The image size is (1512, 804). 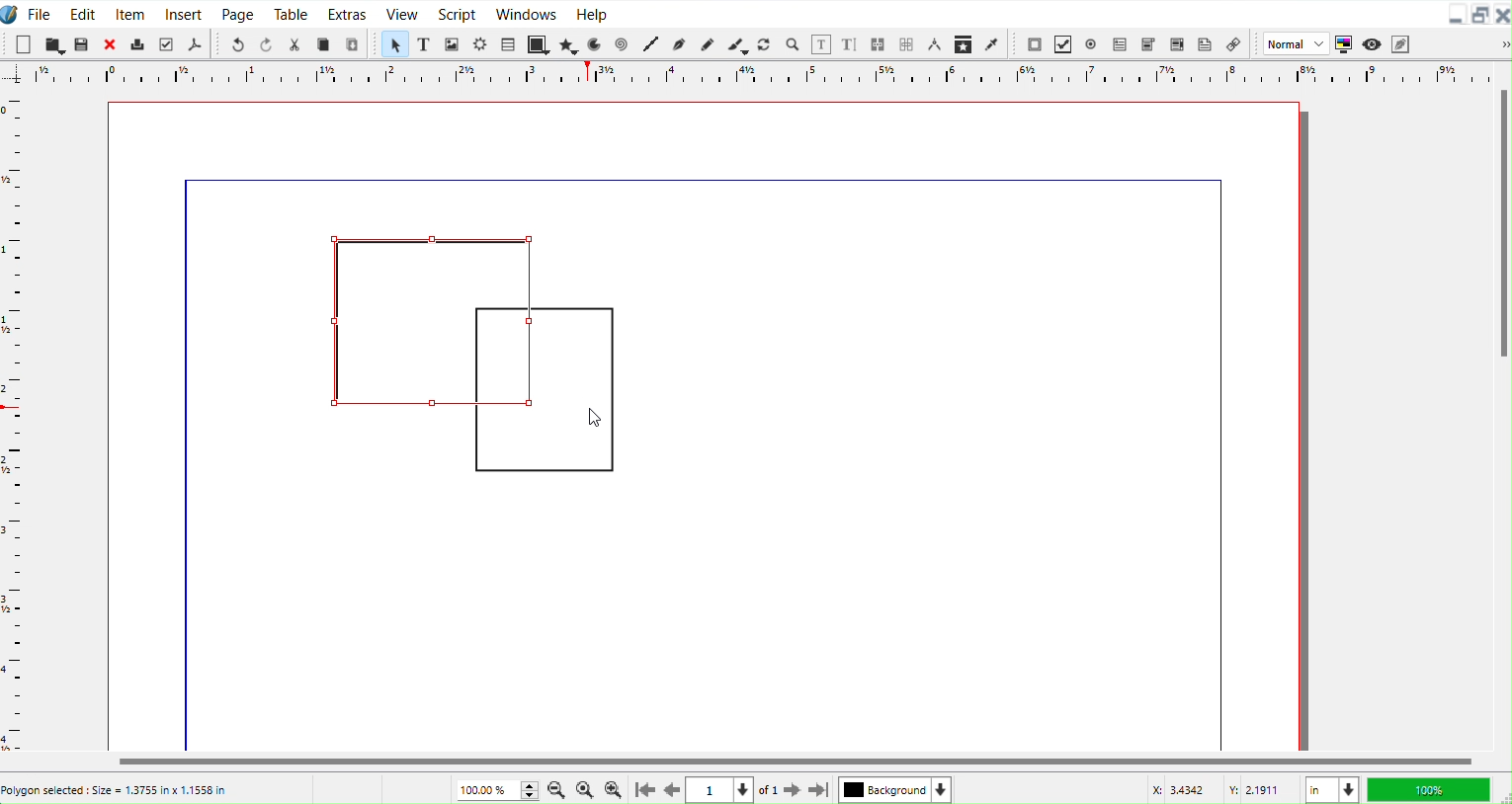 What do you see at coordinates (1501, 404) in the screenshot?
I see `Vertical Scroll Bar` at bounding box center [1501, 404].